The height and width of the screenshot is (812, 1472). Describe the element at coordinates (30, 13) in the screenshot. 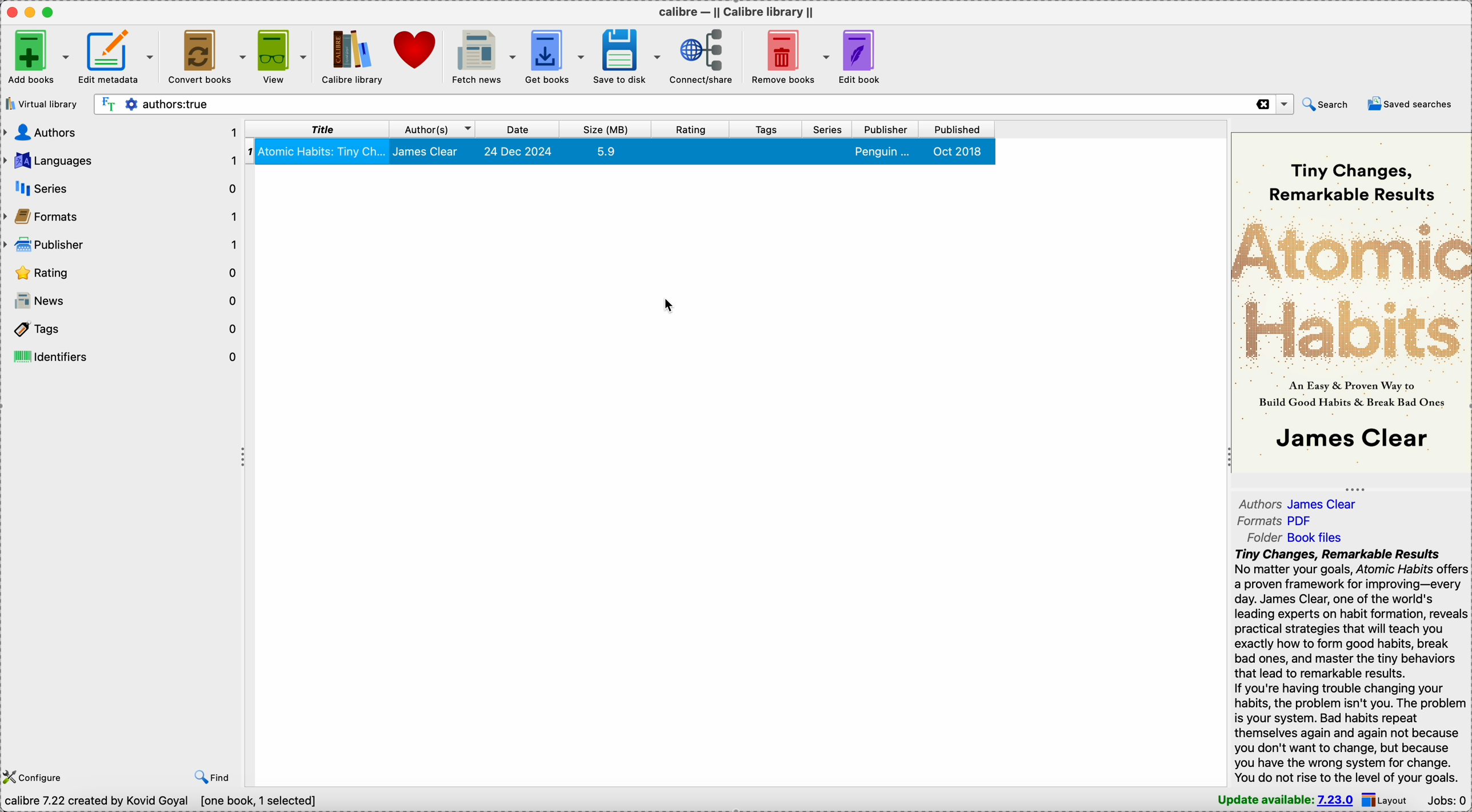

I see `minimize Calibre` at that location.